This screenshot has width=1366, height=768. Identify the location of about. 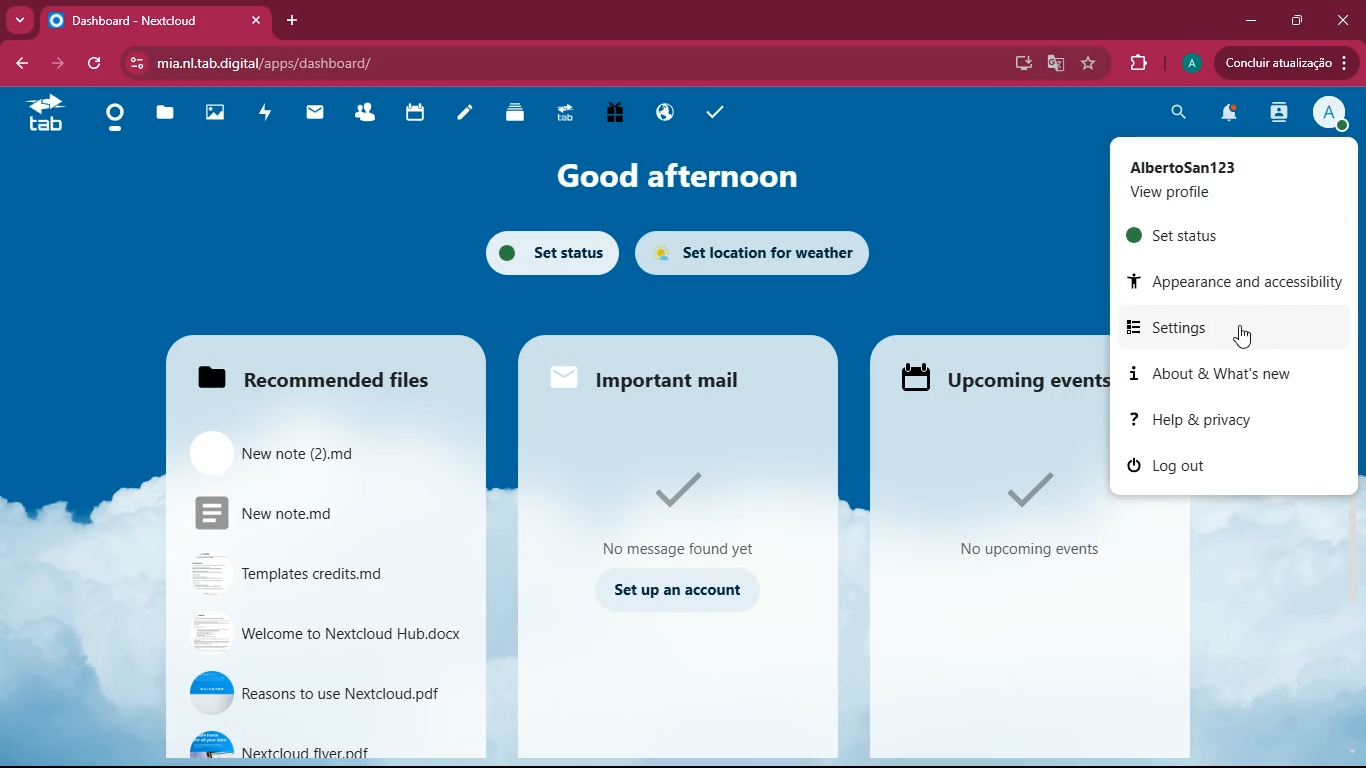
(1220, 373).